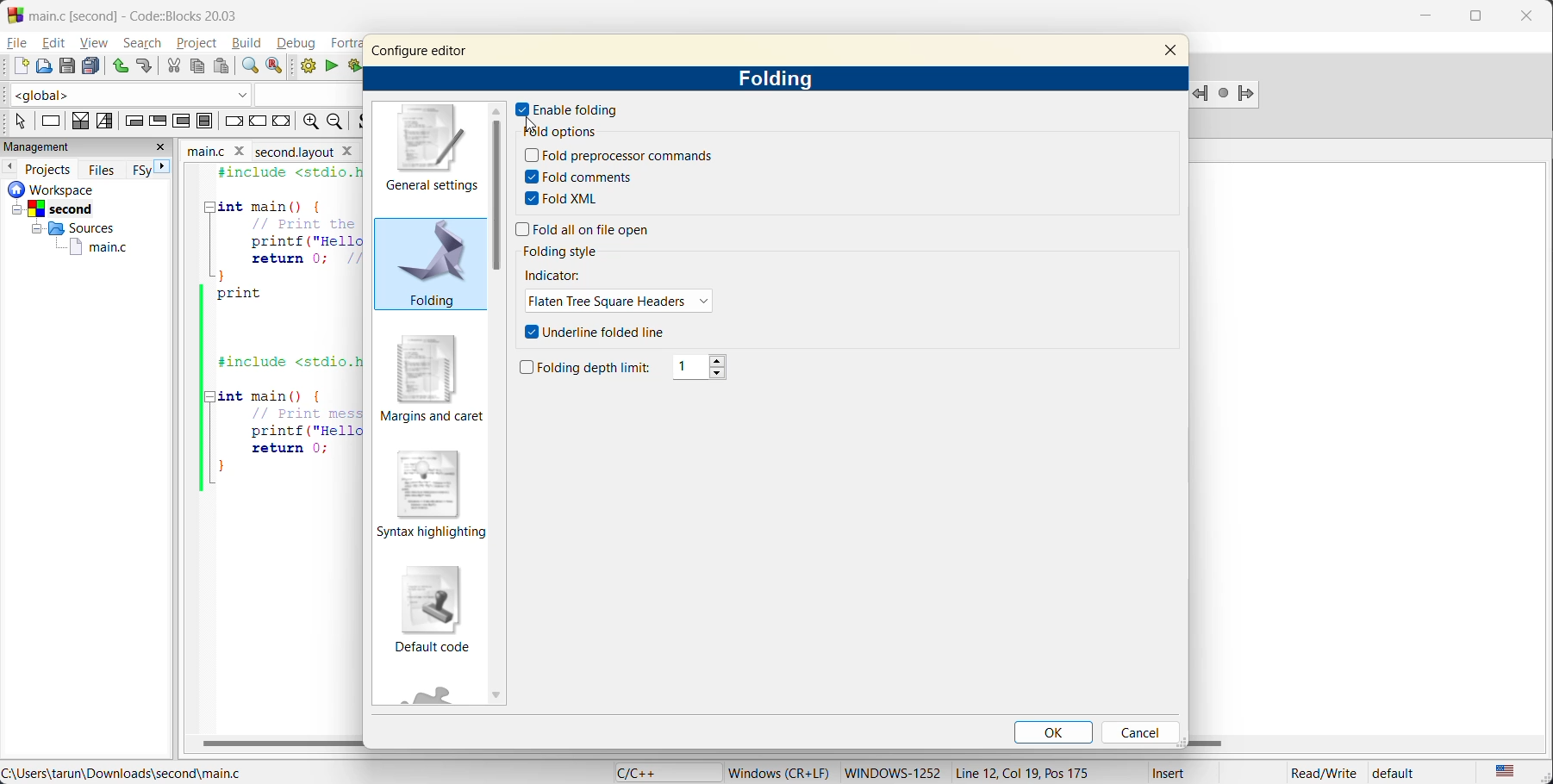 The height and width of the screenshot is (784, 1553). What do you see at coordinates (338, 121) in the screenshot?
I see `zoom out` at bounding box center [338, 121].